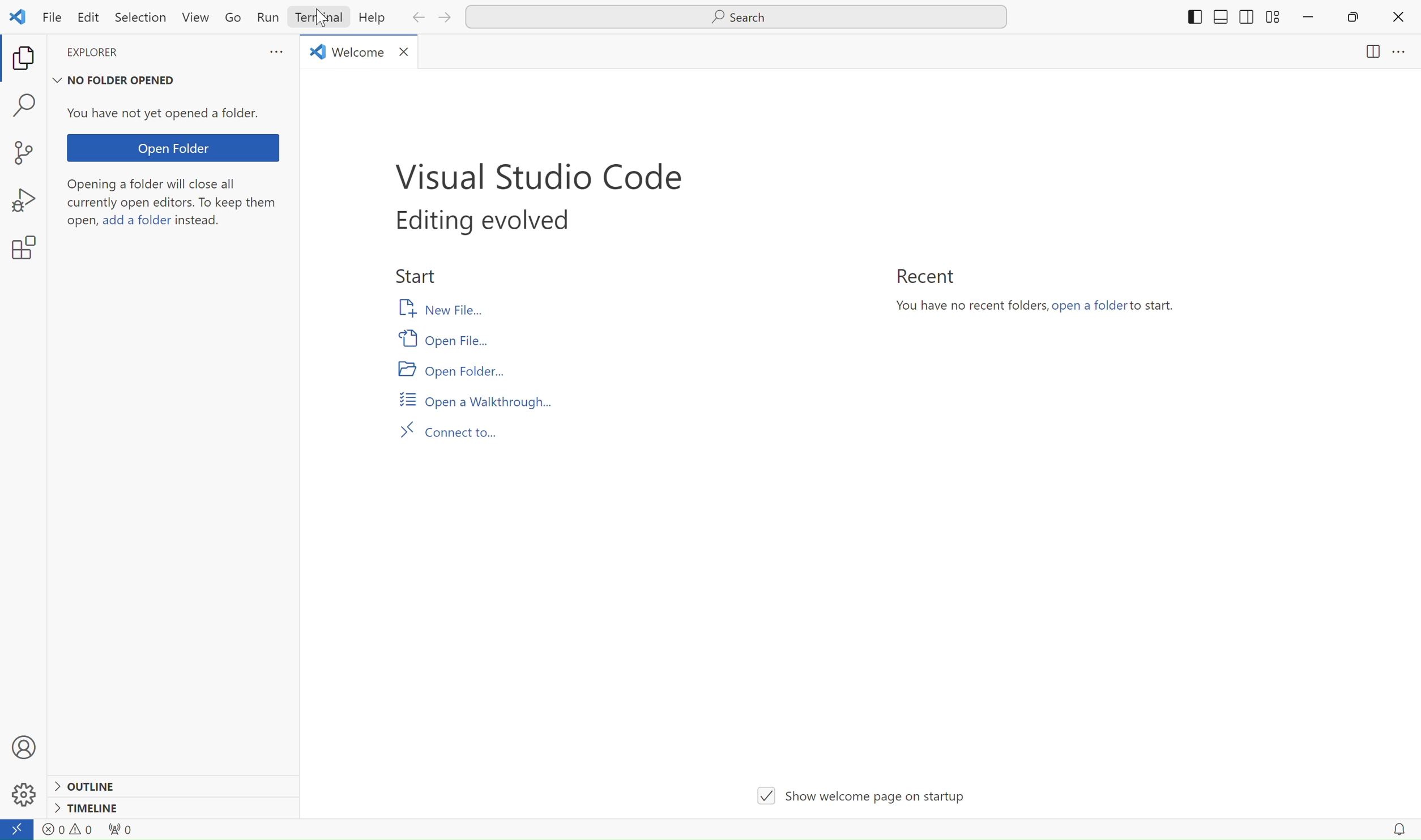 Image resolution: width=1421 pixels, height=840 pixels. What do you see at coordinates (378, 19) in the screenshot?
I see `Help` at bounding box center [378, 19].